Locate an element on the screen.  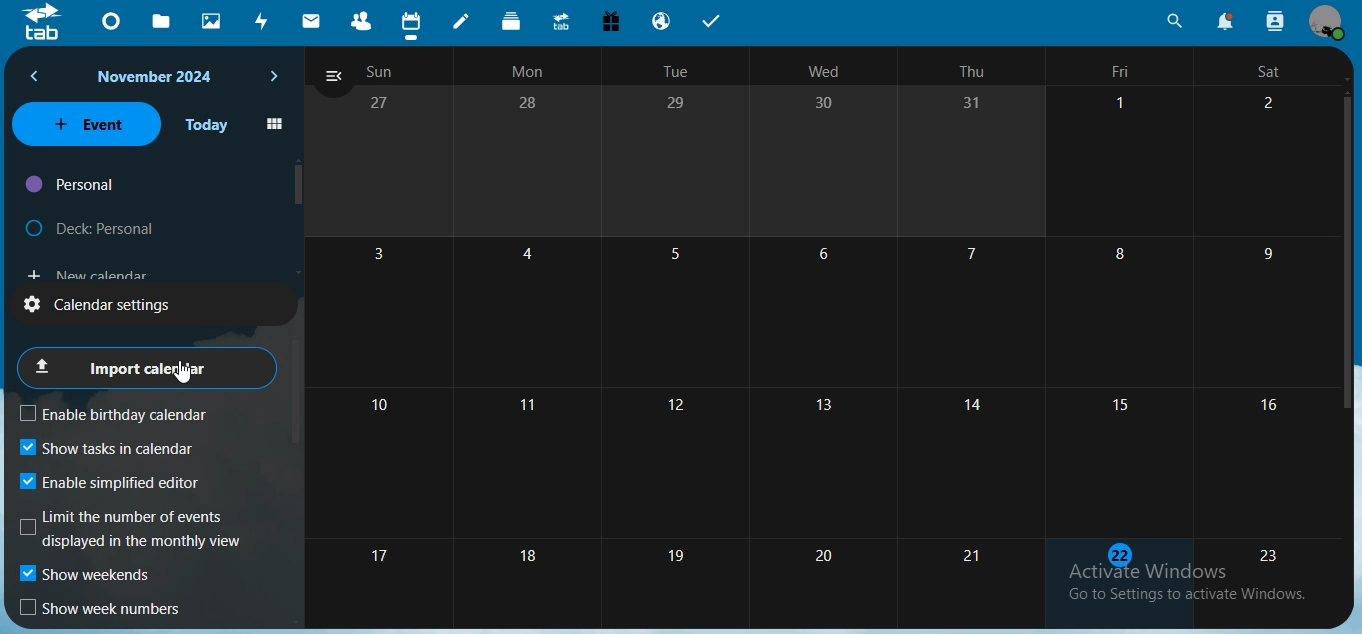
calendar settings is located at coordinates (117, 303).